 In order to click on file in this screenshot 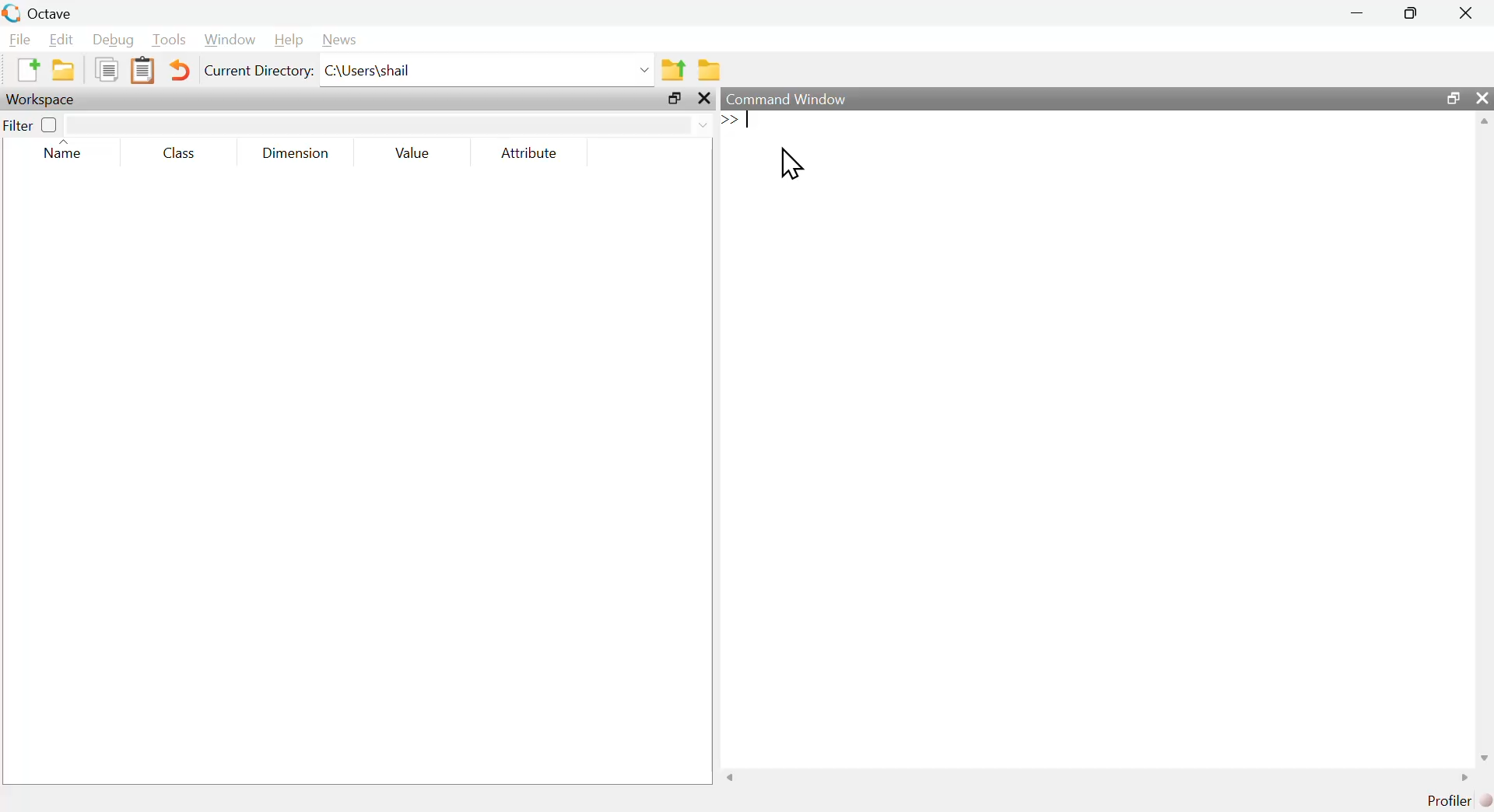, I will do `click(19, 39)`.